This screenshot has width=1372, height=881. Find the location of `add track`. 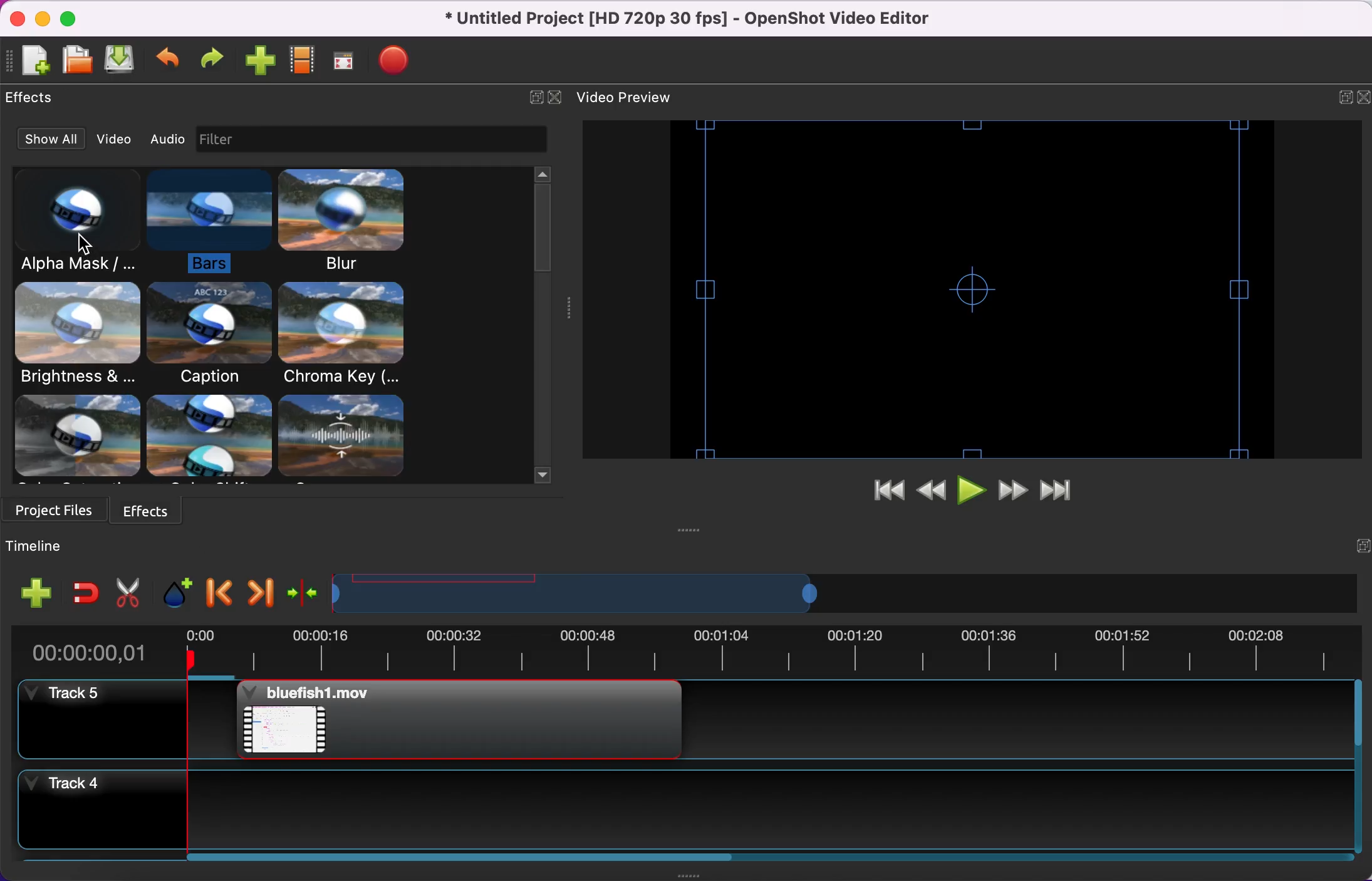

add track is located at coordinates (33, 595).